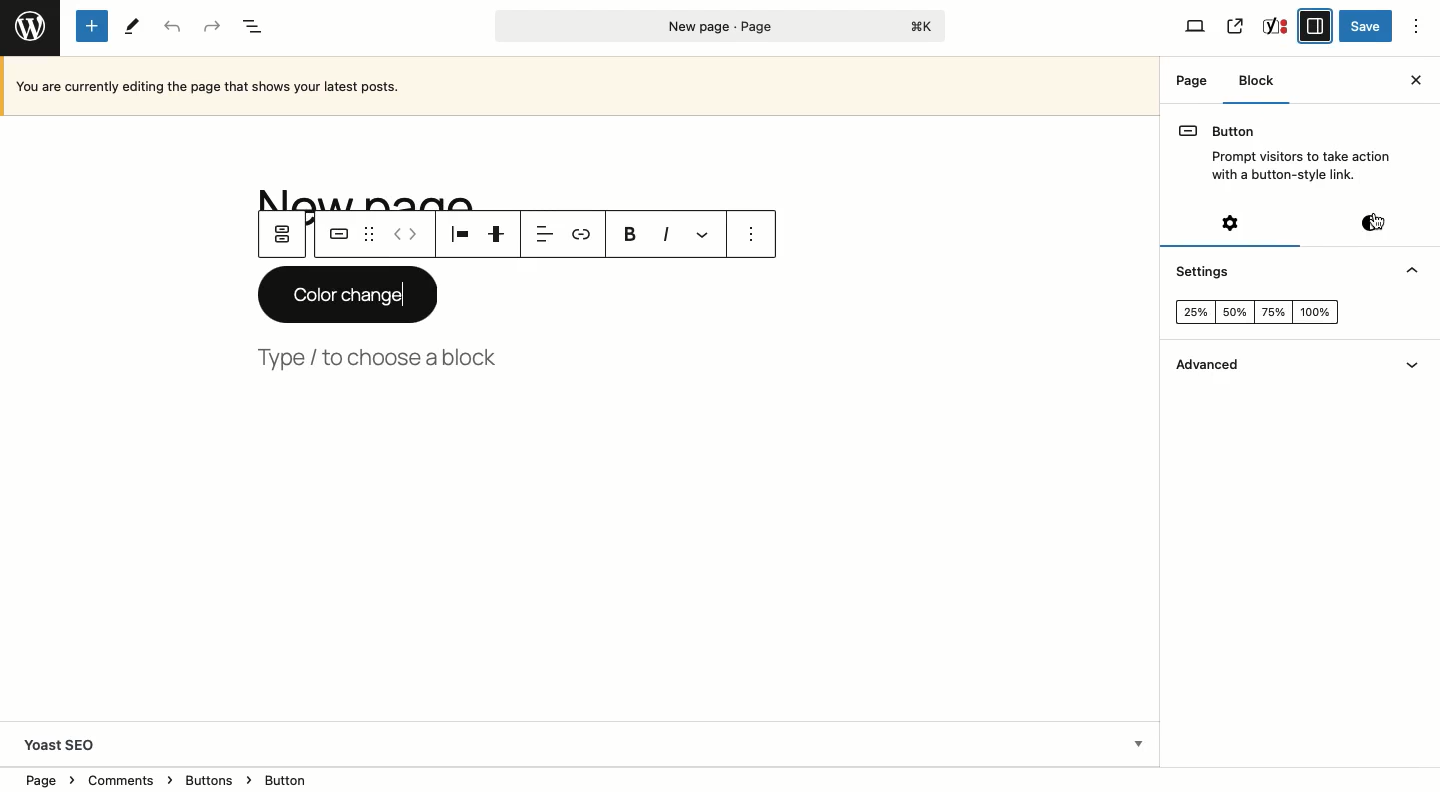  What do you see at coordinates (382, 355) in the screenshot?
I see `Type, choose a block` at bounding box center [382, 355].